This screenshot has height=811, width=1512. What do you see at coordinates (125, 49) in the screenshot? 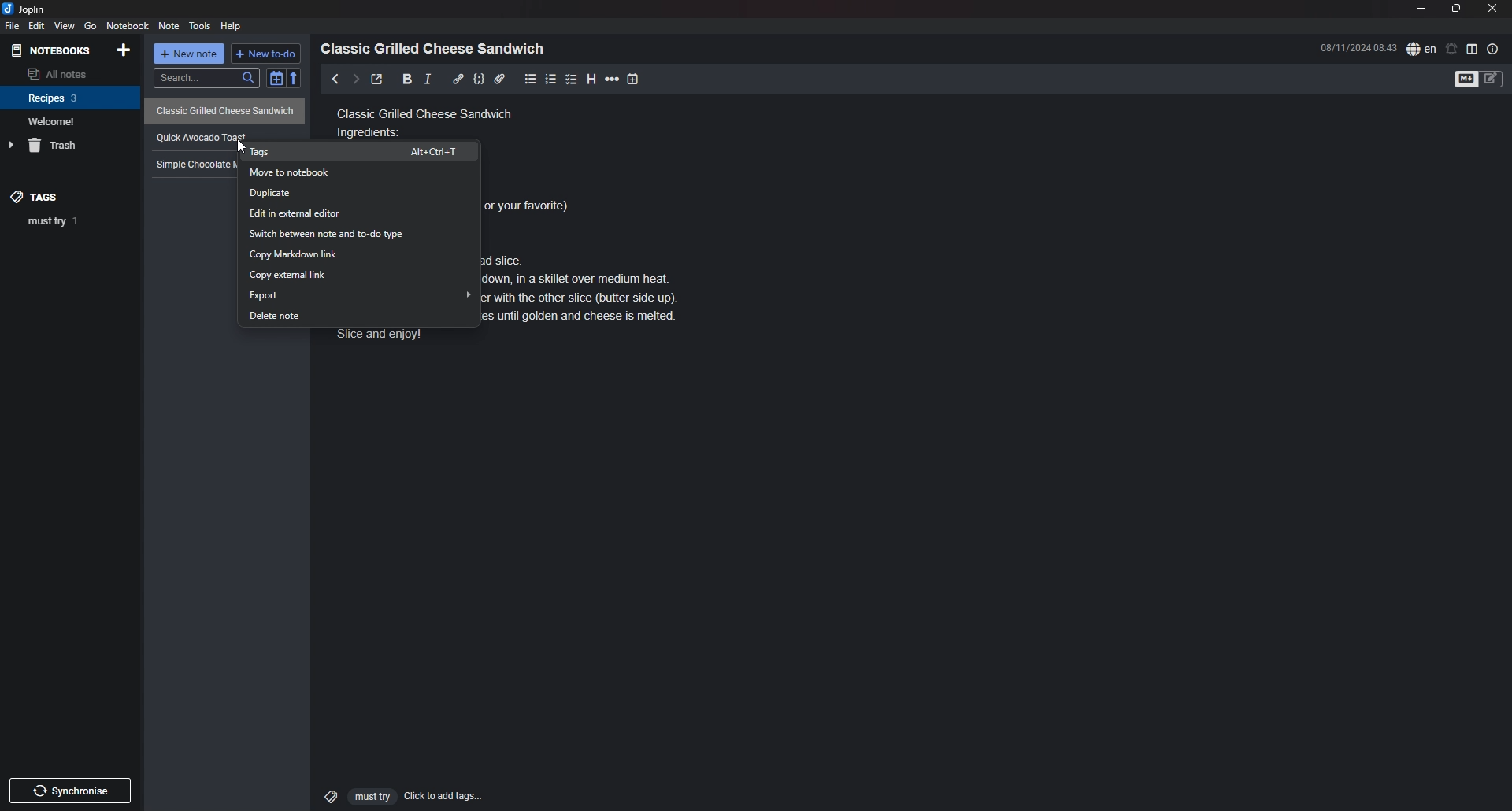
I see `add notebook` at bounding box center [125, 49].